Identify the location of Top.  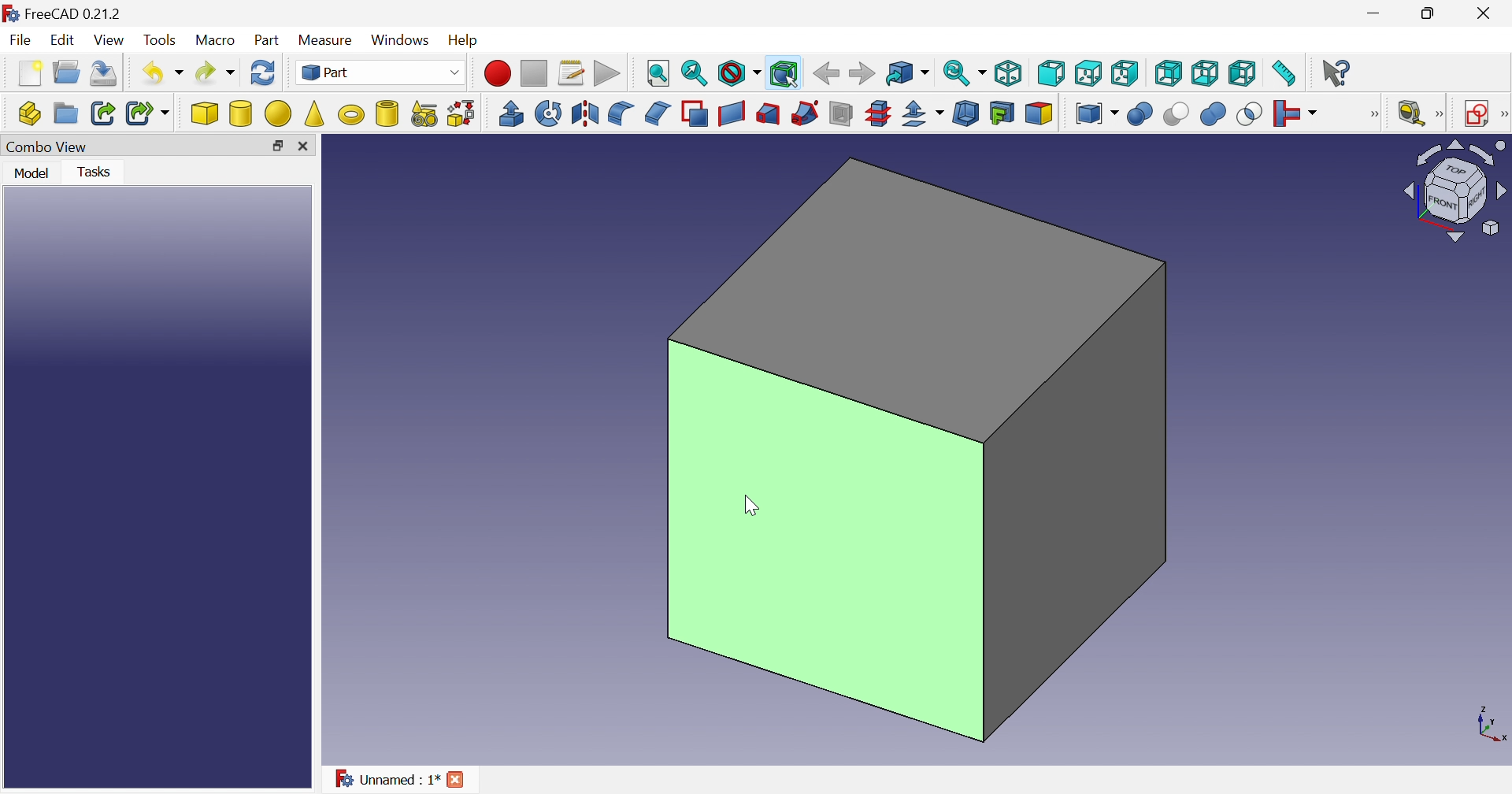
(1090, 74).